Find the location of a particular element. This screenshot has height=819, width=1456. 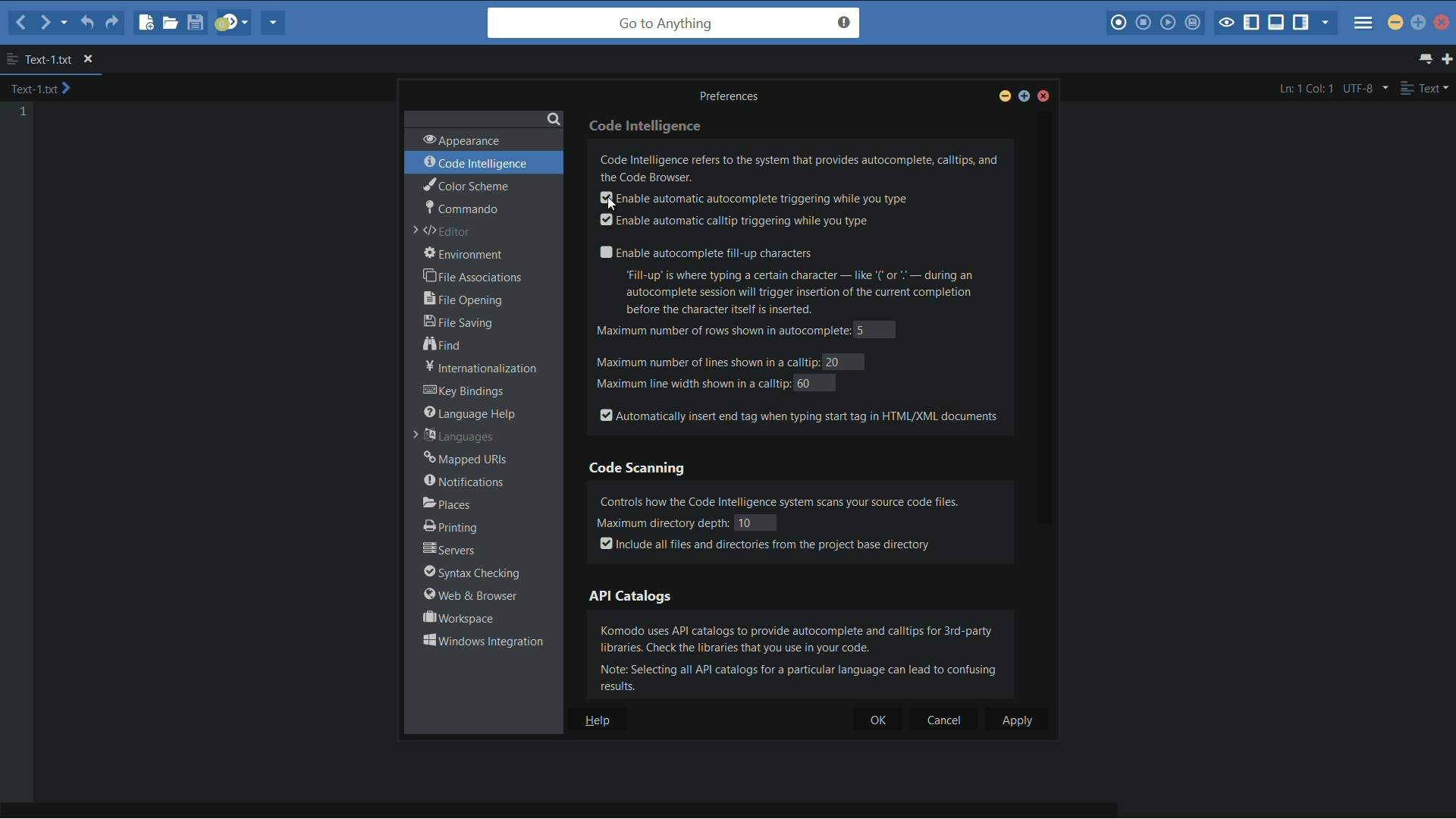

code scanning is located at coordinates (639, 469).